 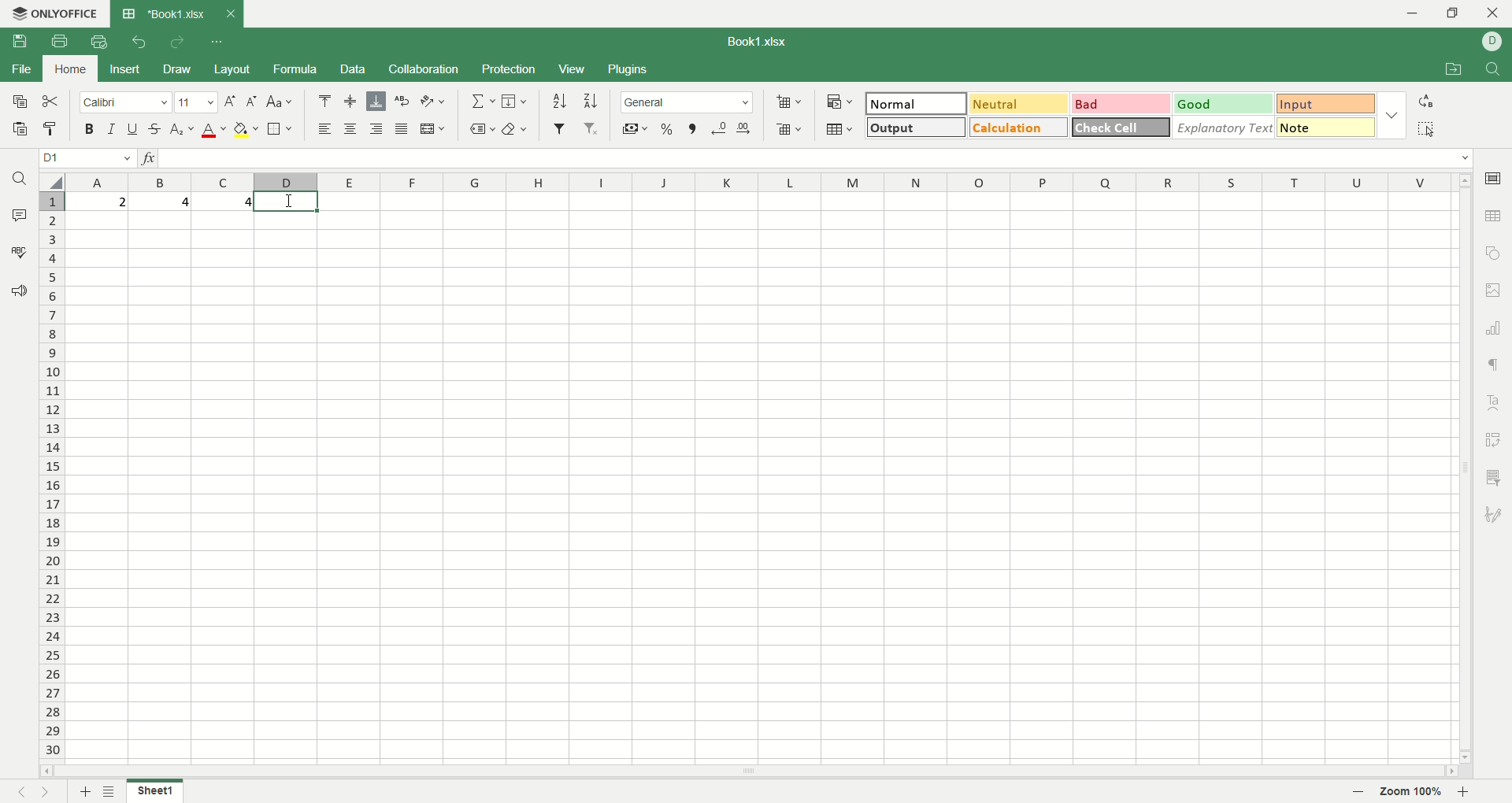 What do you see at coordinates (1495, 69) in the screenshot?
I see `find` at bounding box center [1495, 69].